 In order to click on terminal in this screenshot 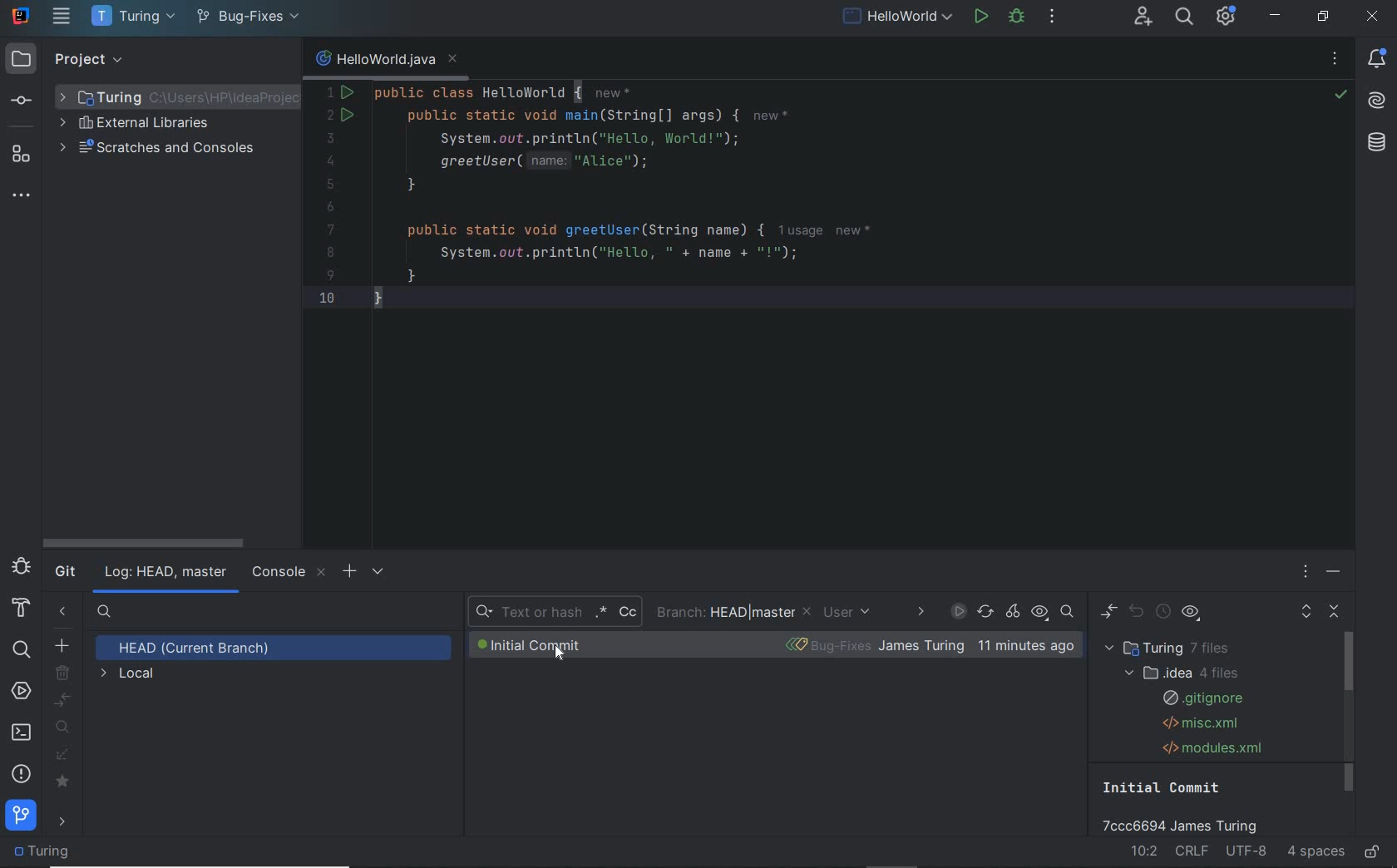, I will do `click(22, 732)`.